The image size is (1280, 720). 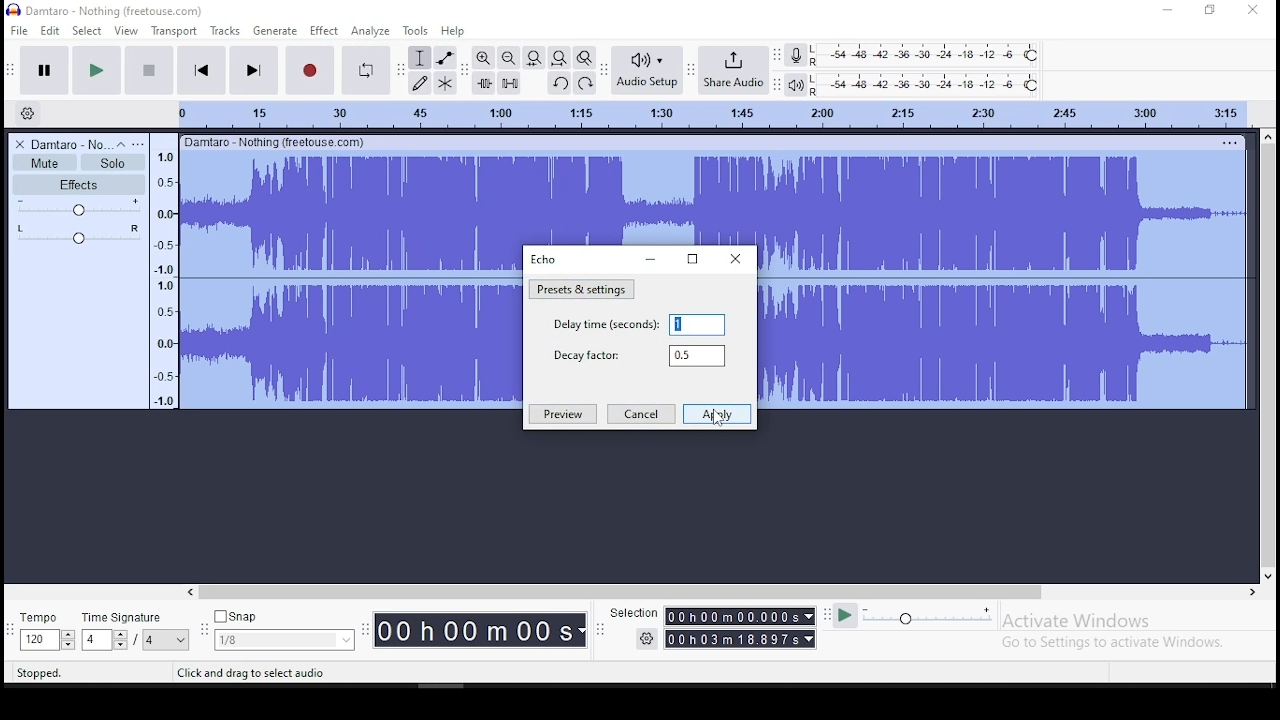 What do you see at coordinates (697, 114) in the screenshot?
I see `Audio Timeline` at bounding box center [697, 114].